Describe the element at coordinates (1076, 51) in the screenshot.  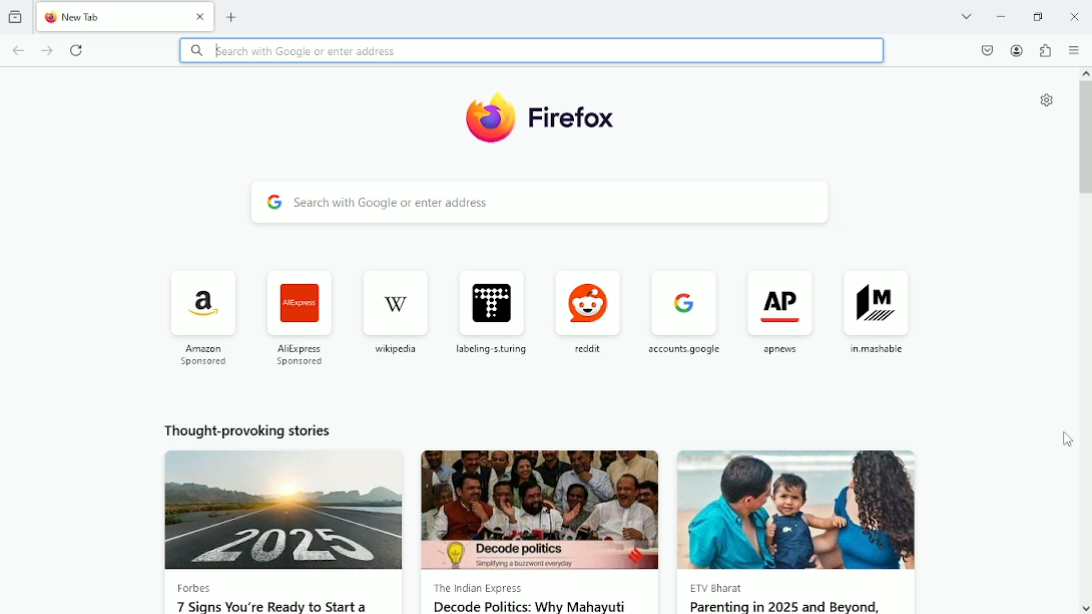
I see `open application menu` at that location.